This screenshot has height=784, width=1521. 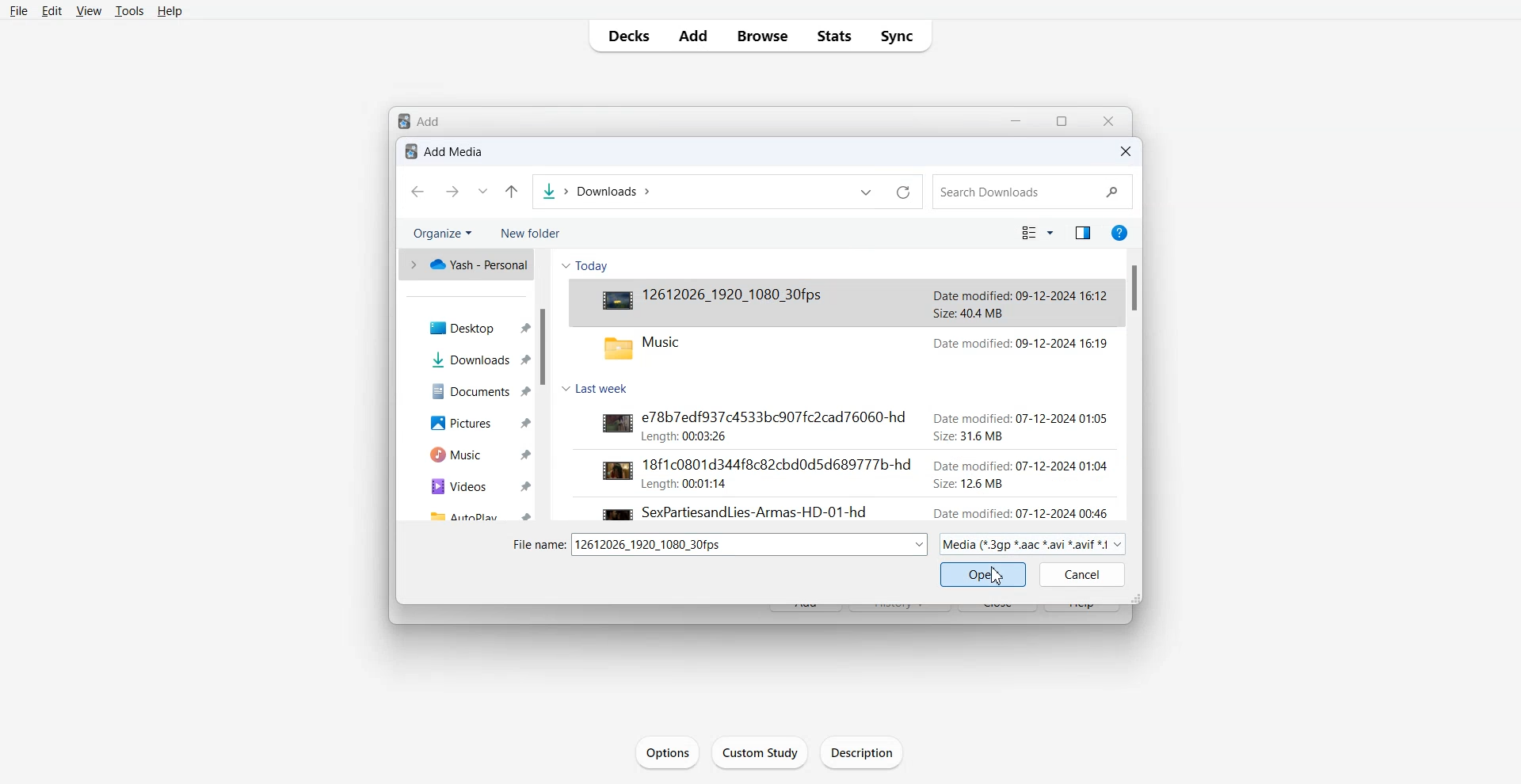 I want to click on Get Help, so click(x=1118, y=234).